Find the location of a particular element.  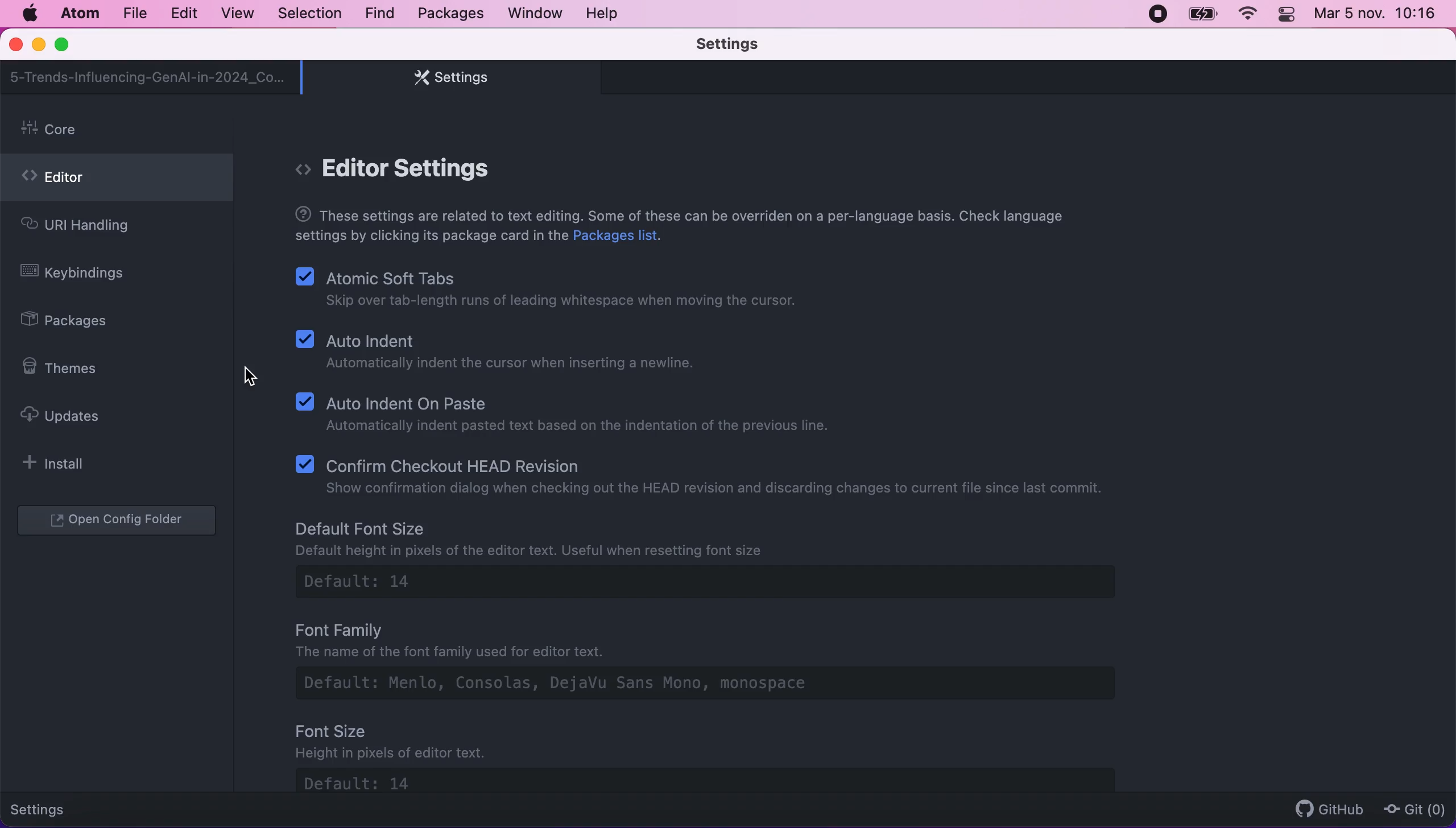

auto indent on paste is located at coordinates (569, 413).